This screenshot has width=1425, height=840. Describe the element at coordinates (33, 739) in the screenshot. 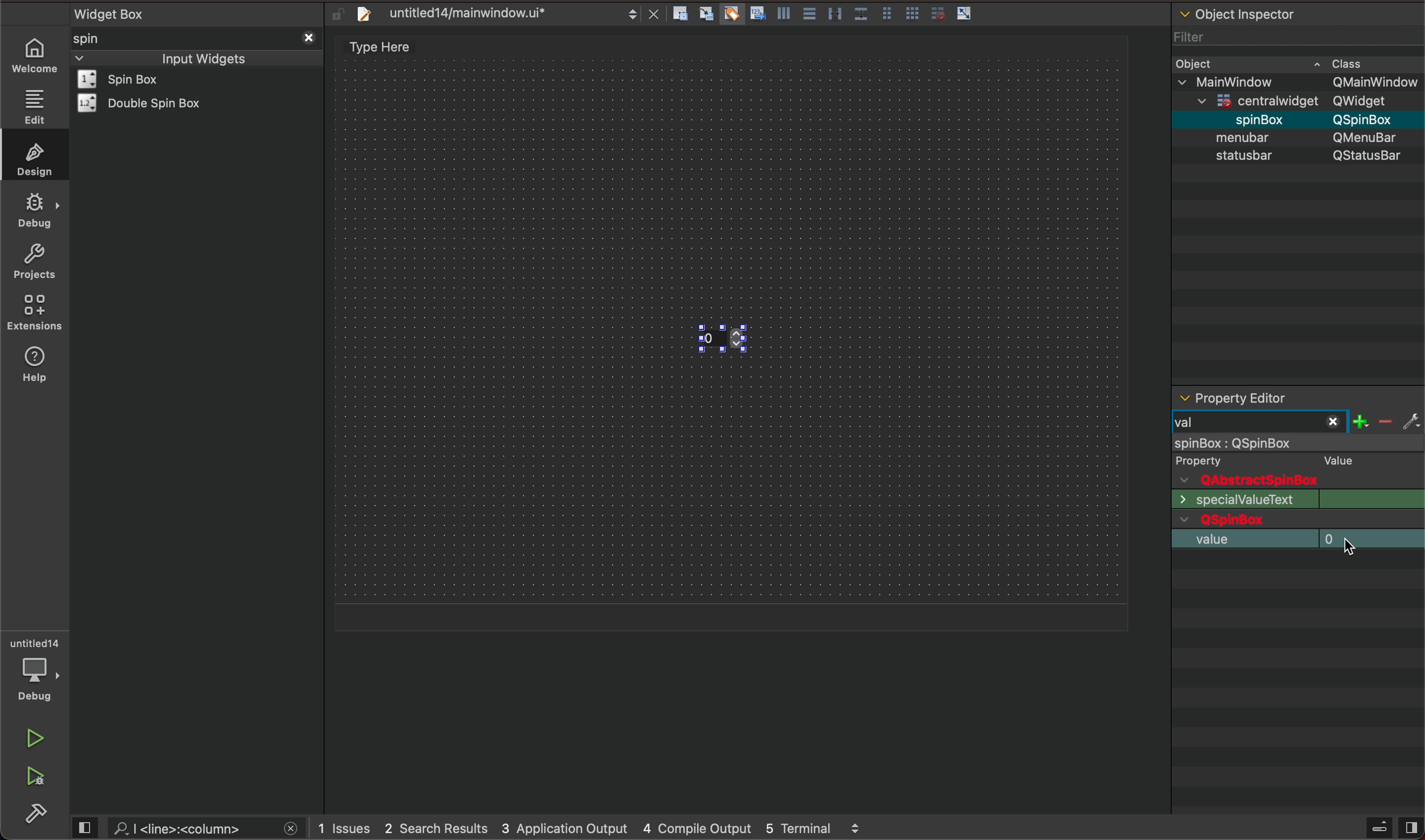

I see `run` at that location.